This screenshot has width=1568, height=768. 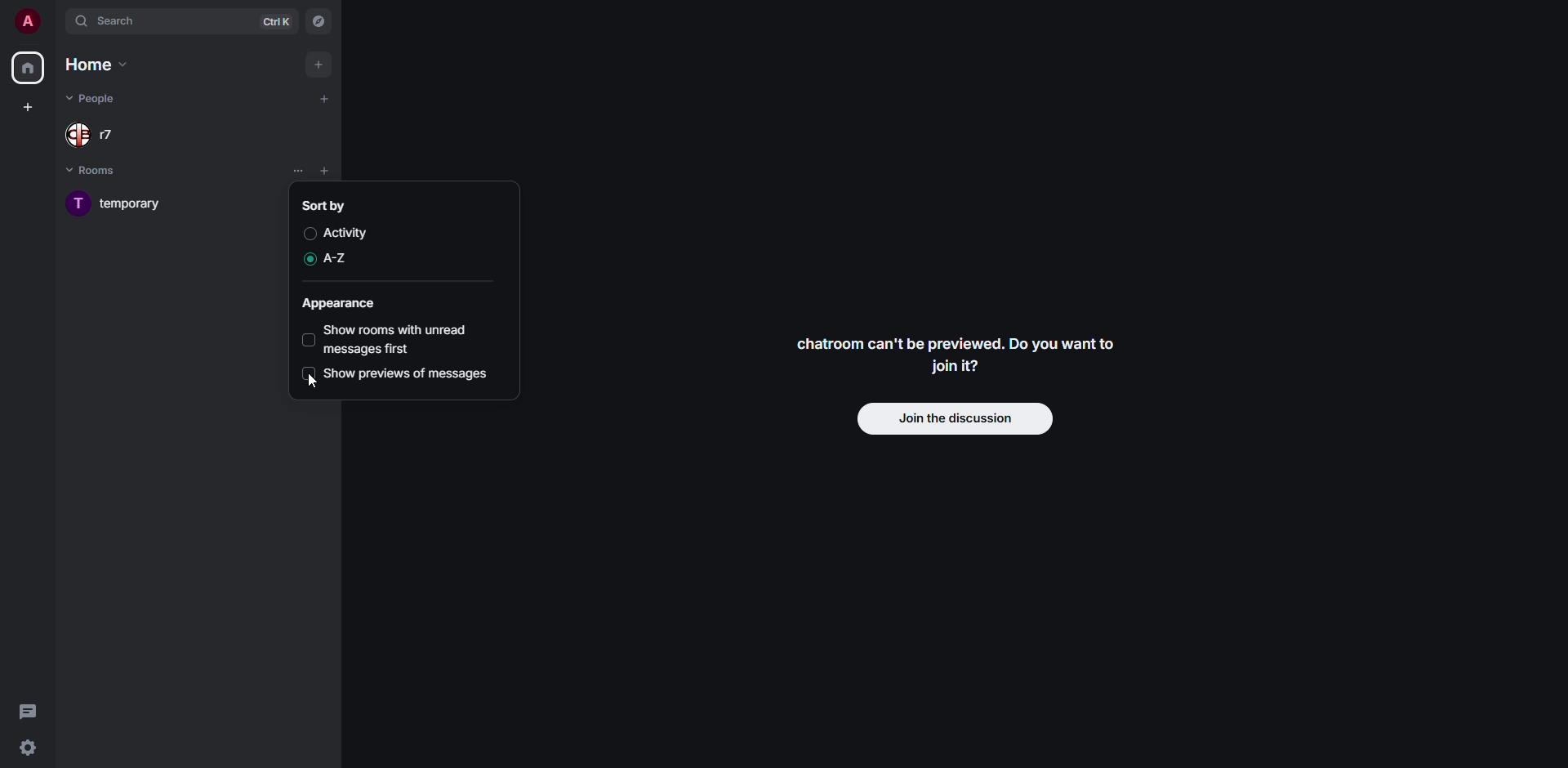 What do you see at coordinates (307, 373) in the screenshot?
I see `disabled` at bounding box center [307, 373].